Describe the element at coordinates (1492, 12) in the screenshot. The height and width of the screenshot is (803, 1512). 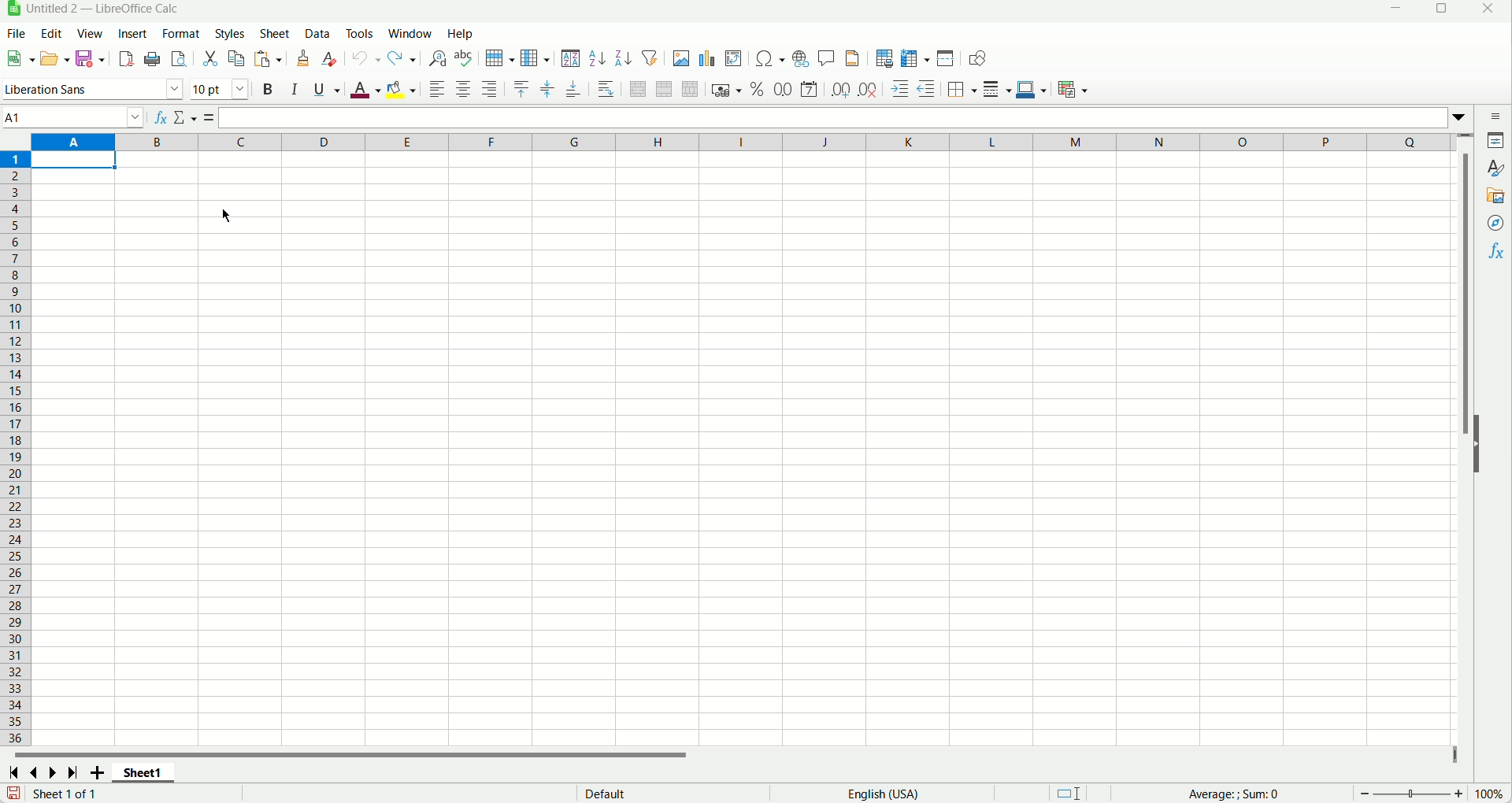
I see `Close` at that location.